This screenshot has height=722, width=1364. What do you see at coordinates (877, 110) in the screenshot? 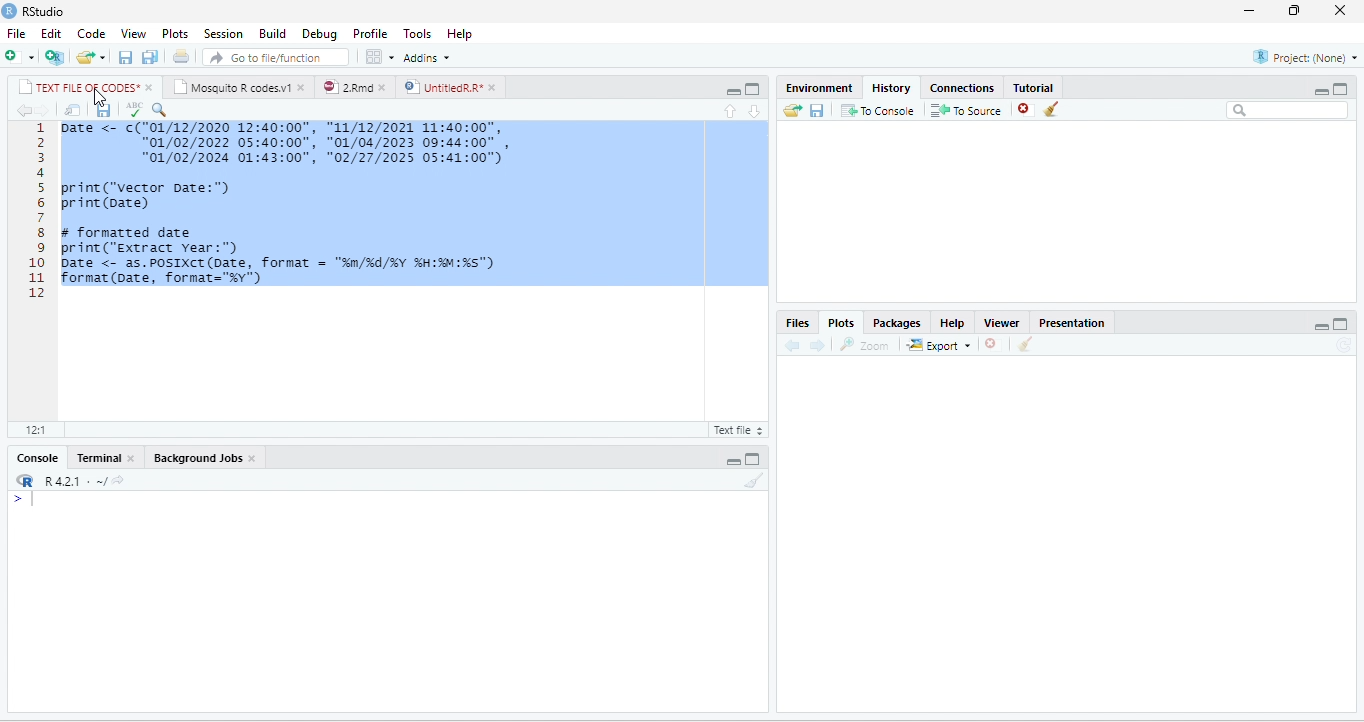
I see `To Console` at bounding box center [877, 110].